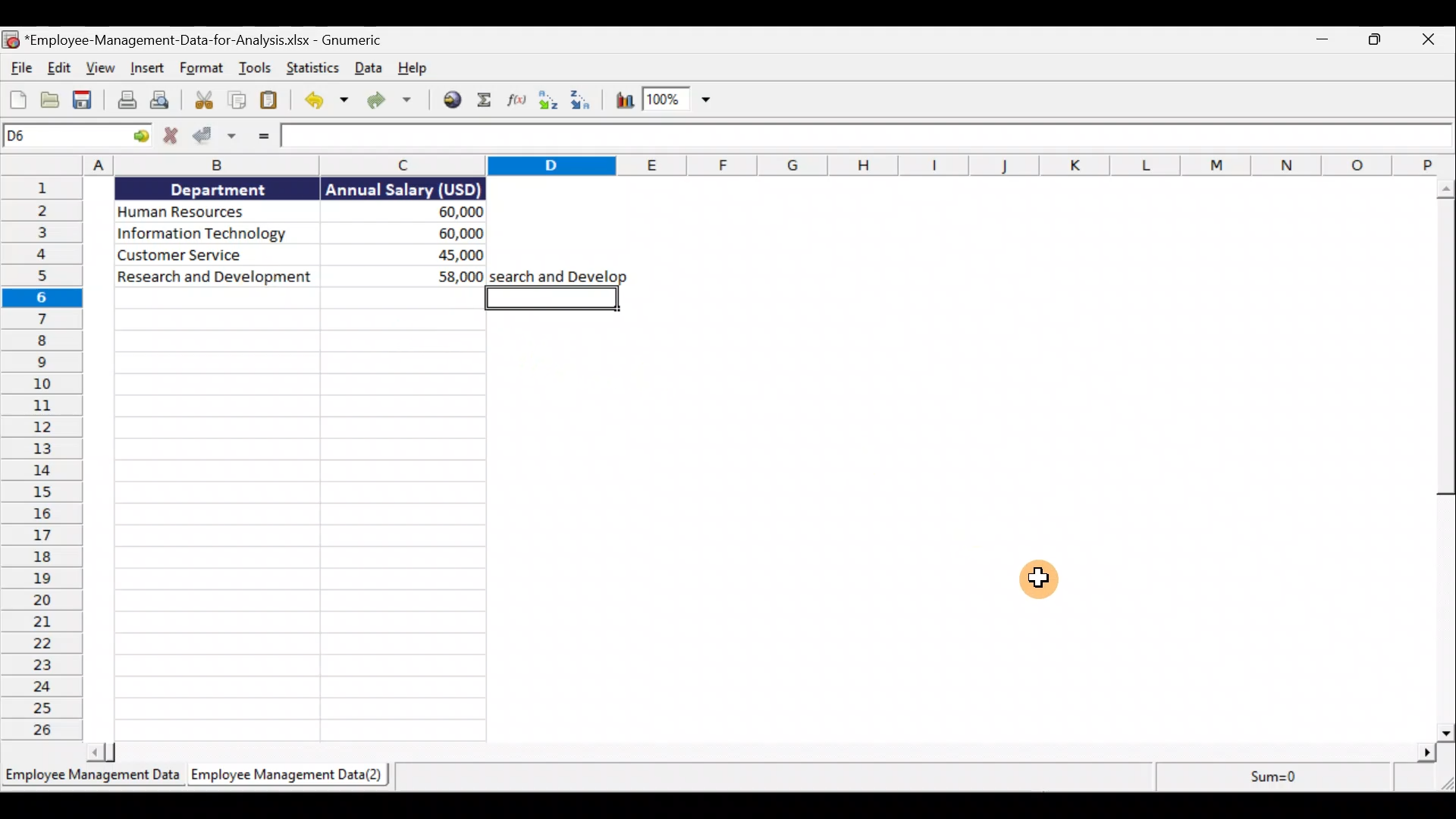 The image size is (1456, 819). What do you see at coordinates (196, 37) in the screenshot?
I see `Document name` at bounding box center [196, 37].